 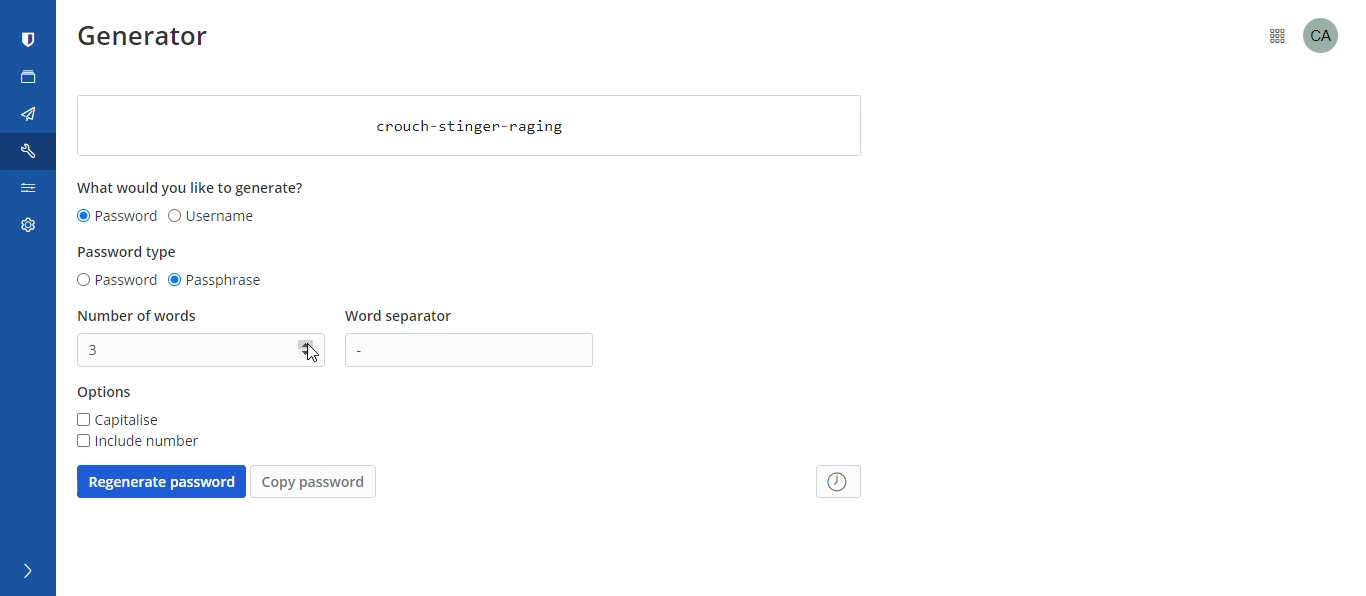 What do you see at coordinates (309, 350) in the screenshot?
I see `increment or decrement number of words` at bounding box center [309, 350].